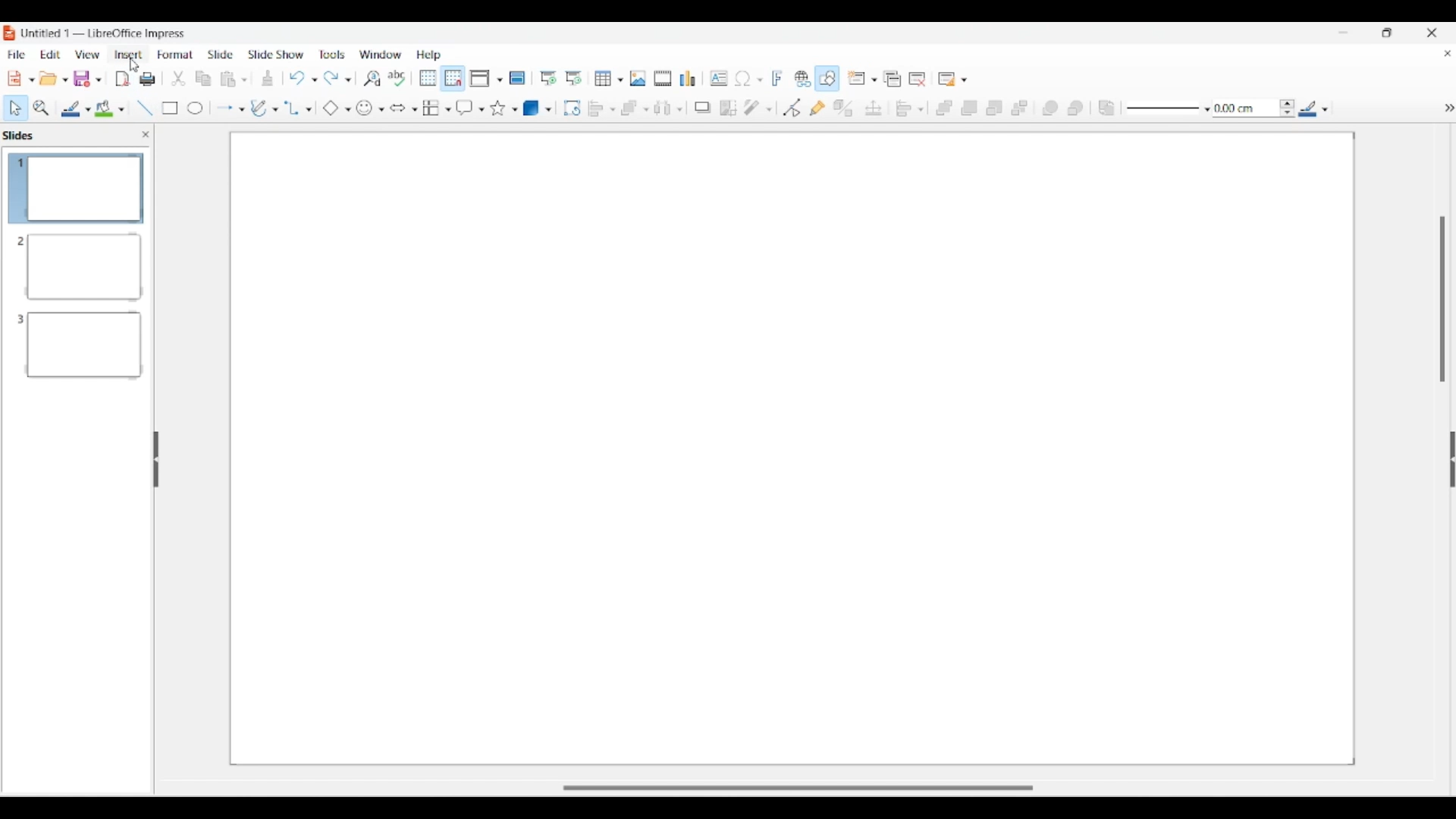  I want to click on Software and project name, so click(105, 34).